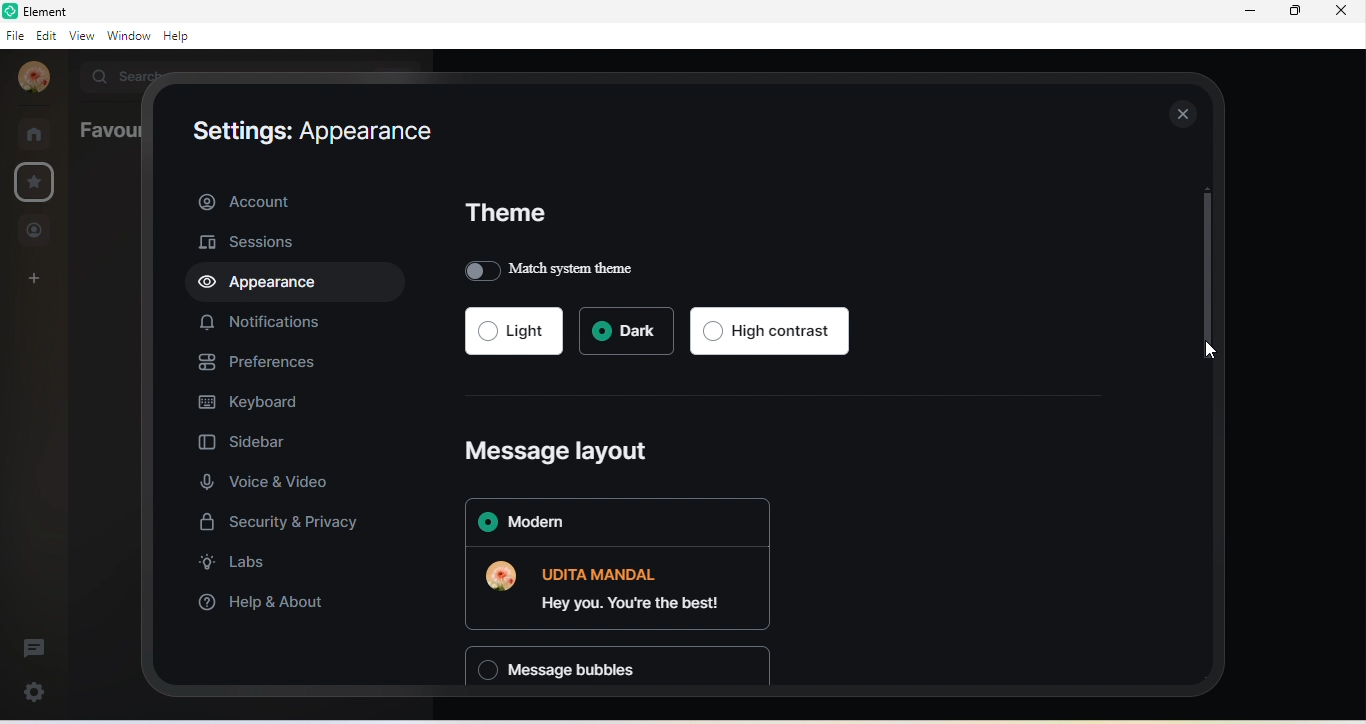 Image resolution: width=1366 pixels, height=724 pixels. I want to click on people, so click(35, 230).